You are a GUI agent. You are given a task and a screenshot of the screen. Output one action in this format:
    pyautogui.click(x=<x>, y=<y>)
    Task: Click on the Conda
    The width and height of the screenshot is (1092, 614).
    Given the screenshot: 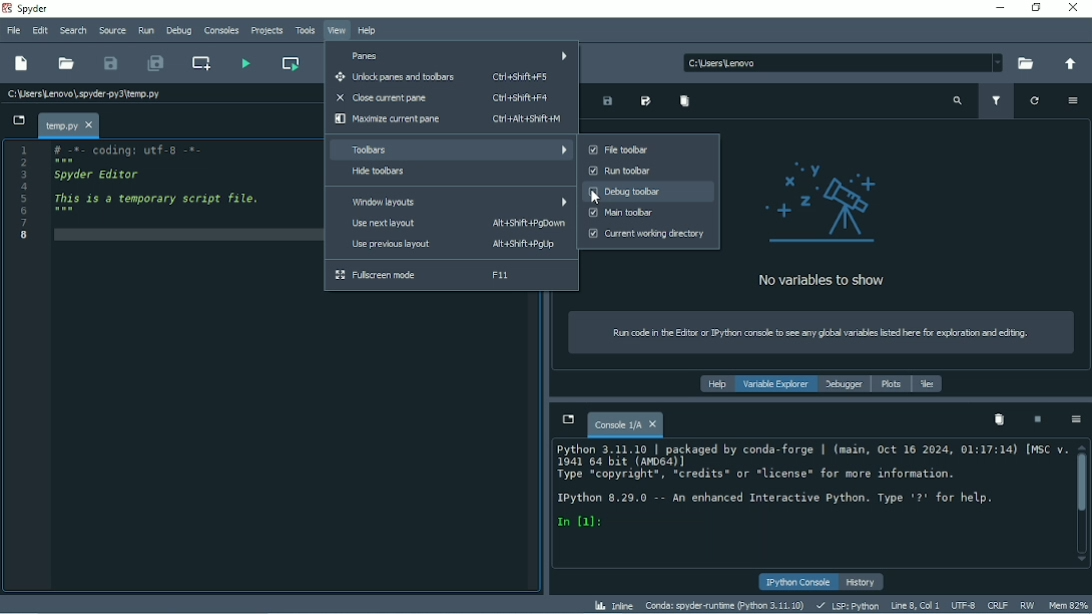 What is the action you would take?
    pyautogui.click(x=725, y=605)
    